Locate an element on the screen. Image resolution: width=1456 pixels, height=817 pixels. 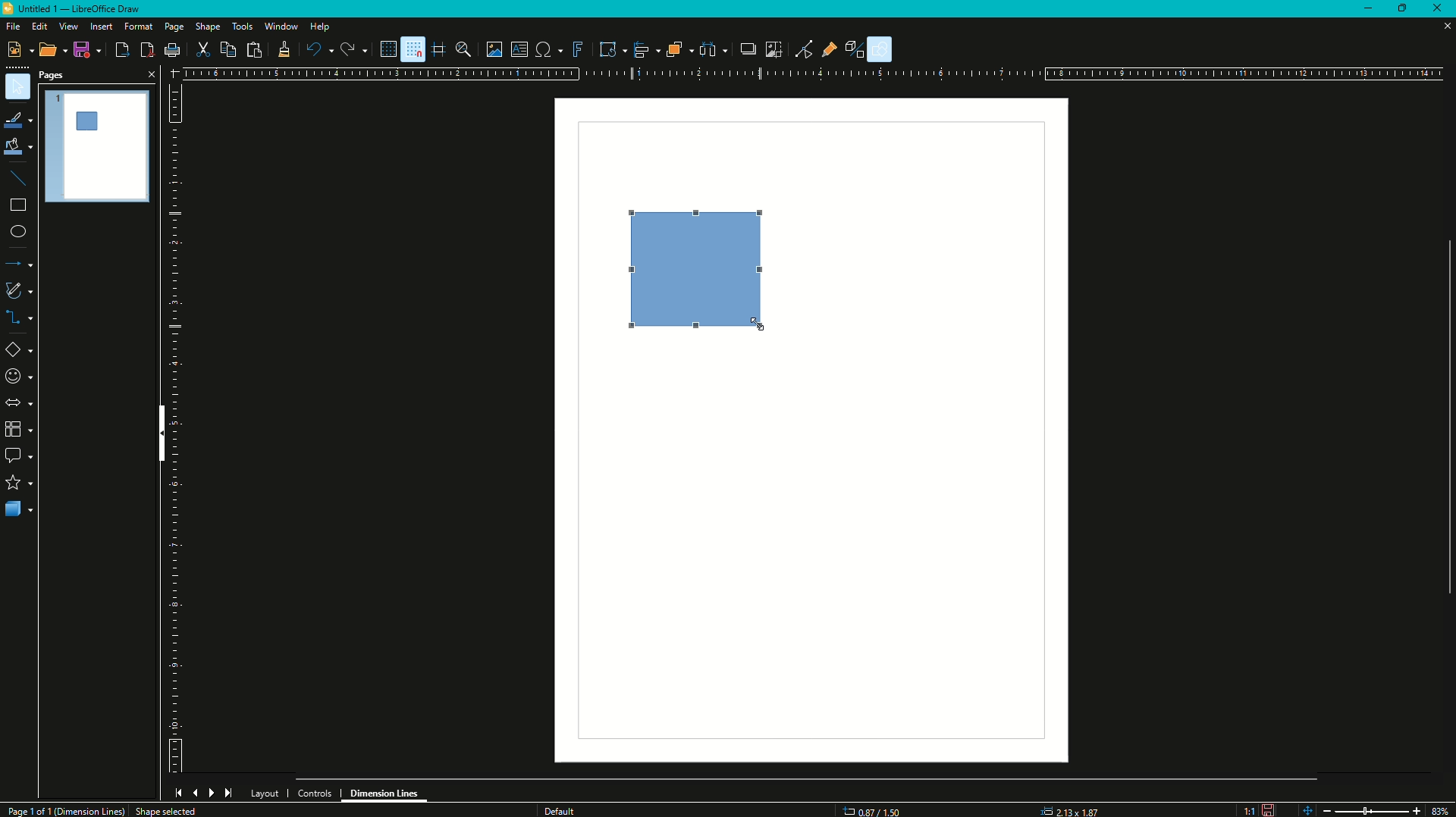
Not saved is located at coordinates (1268, 809).